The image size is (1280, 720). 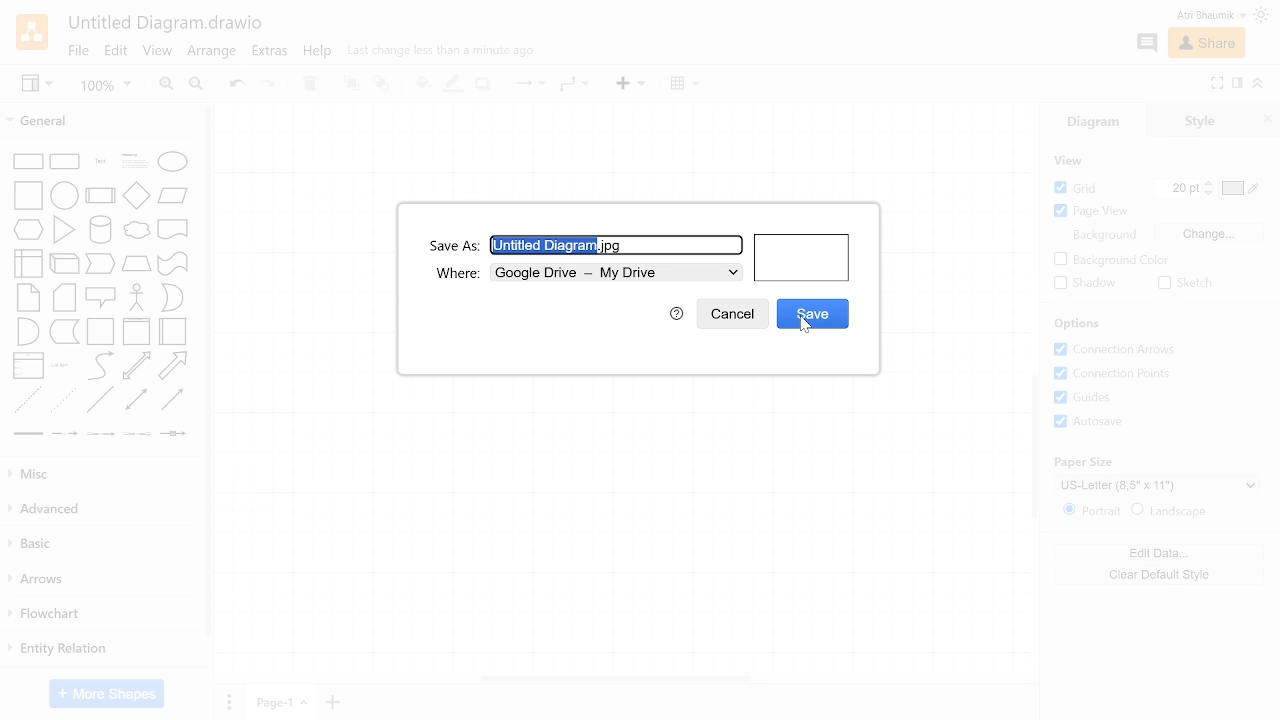 What do you see at coordinates (100, 294) in the screenshot?
I see `Shapes` at bounding box center [100, 294].